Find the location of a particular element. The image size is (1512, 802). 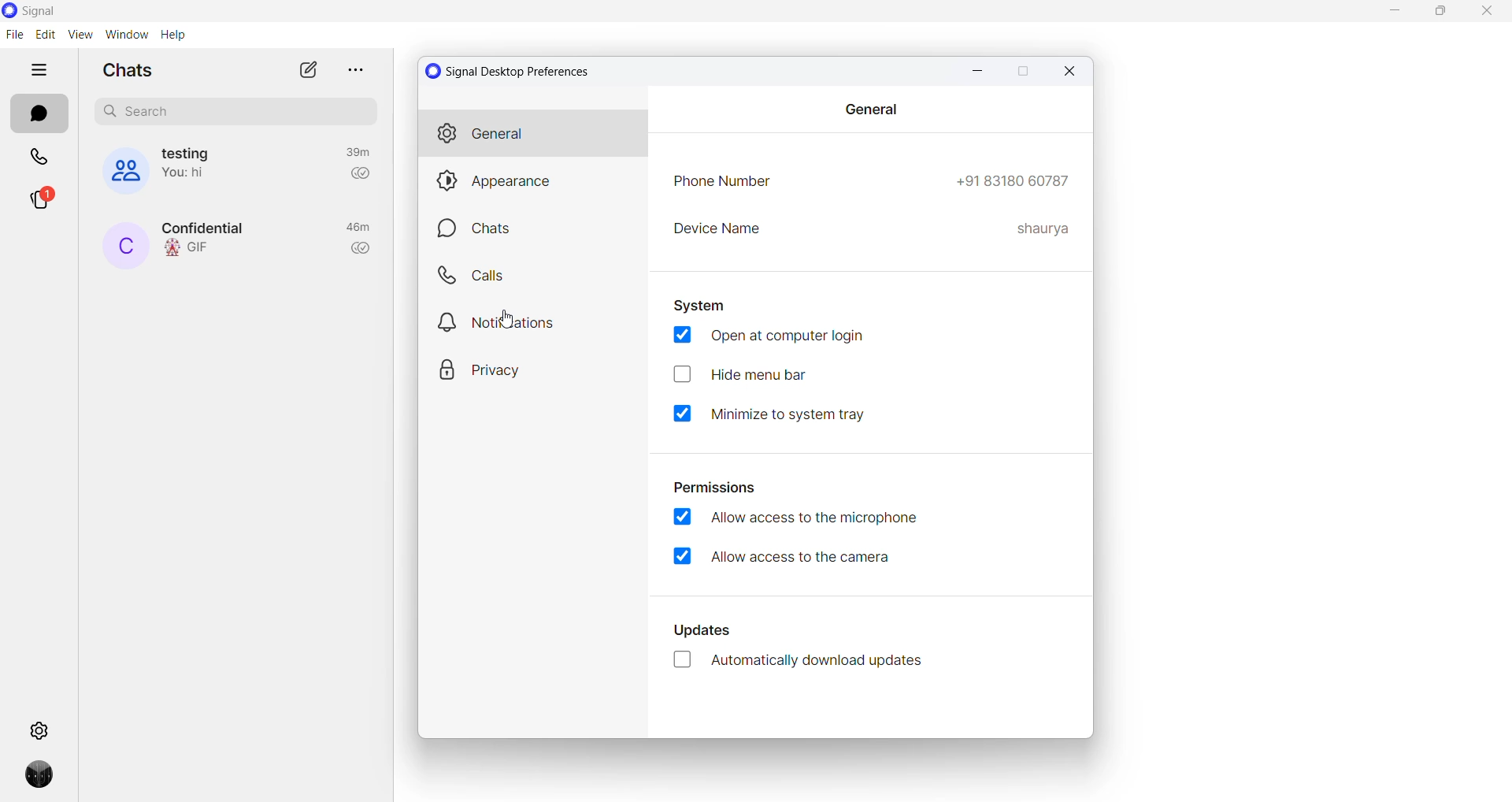

privacy is located at coordinates (531, 365).